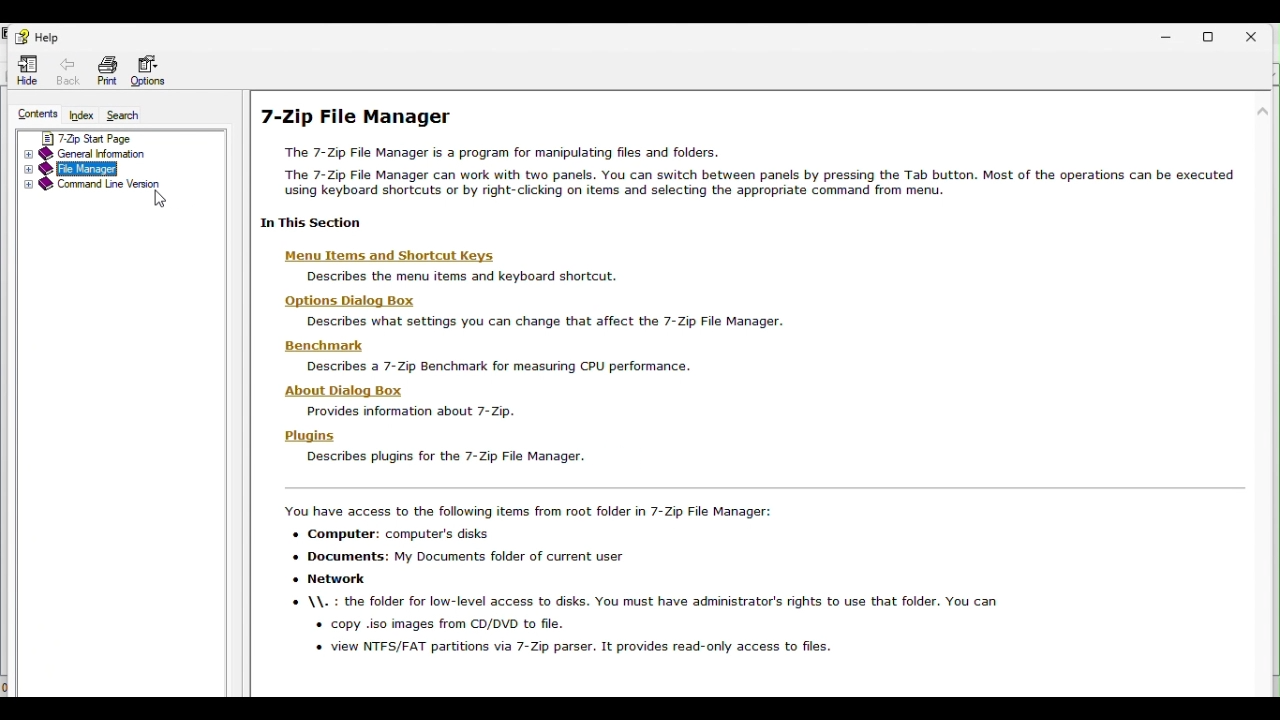 The width and height of the screenshot is (1280, 720). I want to click on 1 Describes a 7-Zip Benchmark for measuring CPU performance., so click(506, 365).